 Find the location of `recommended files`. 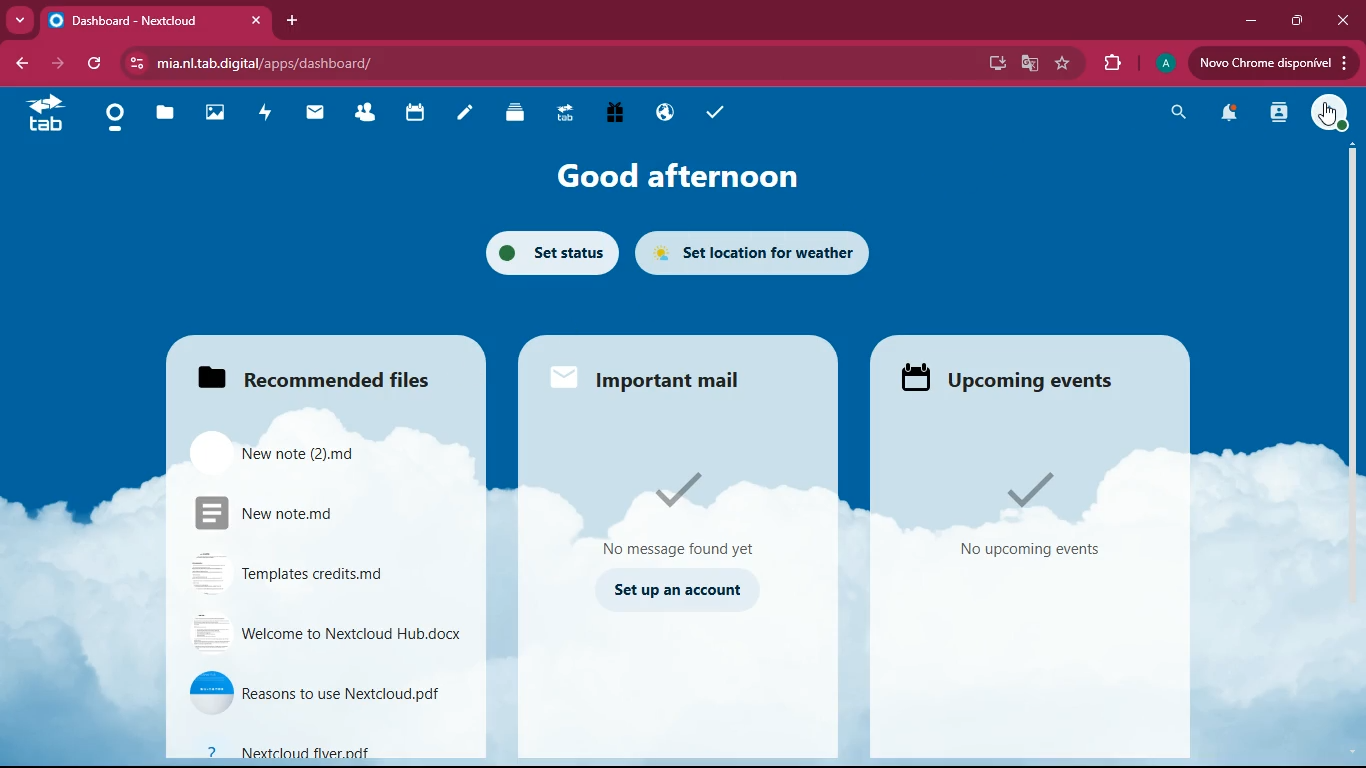

recommended files is located at coordinates (323, 373).